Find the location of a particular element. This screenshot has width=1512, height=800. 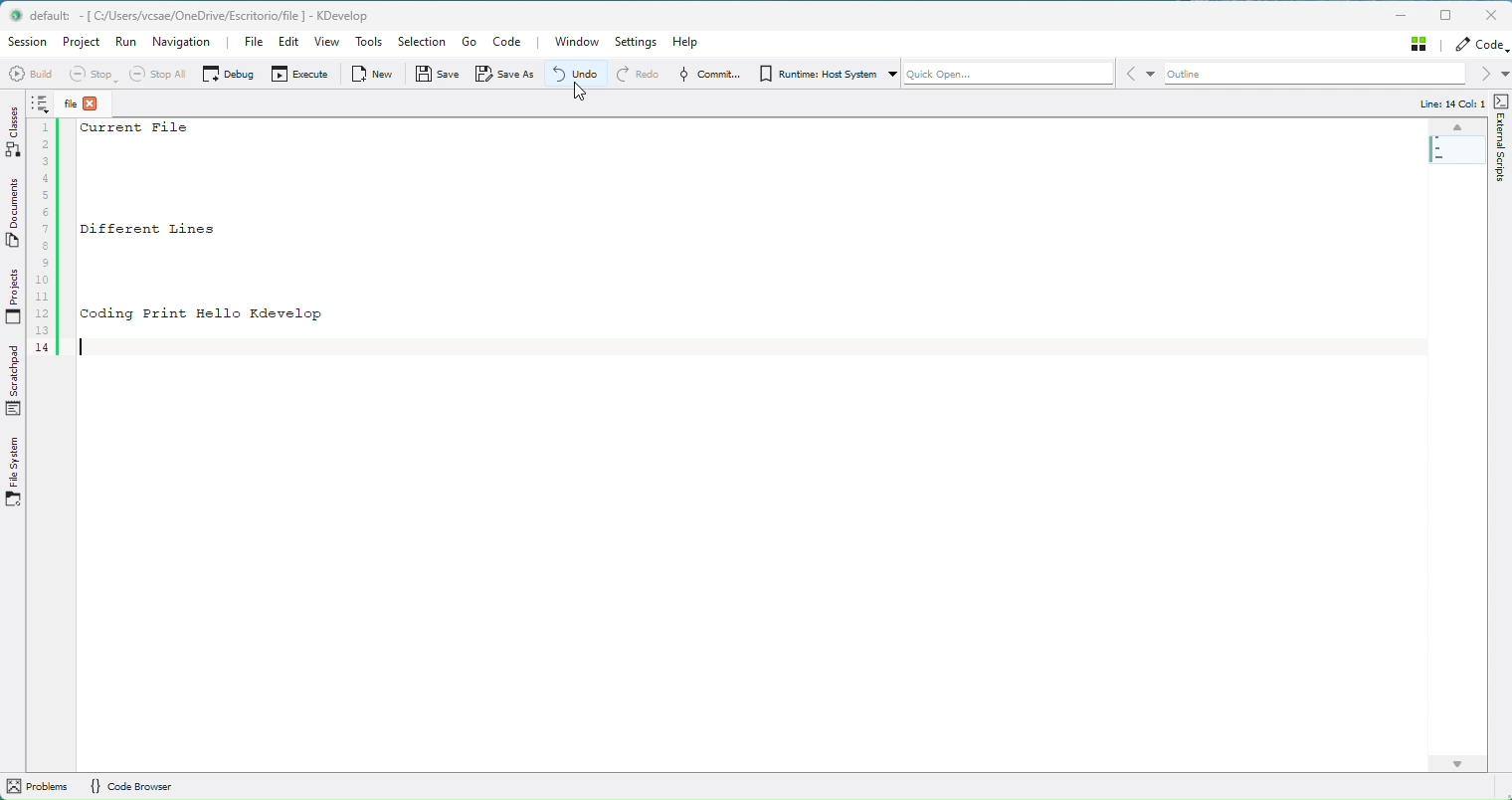

Minimize is located at coordinates (1403, 15).